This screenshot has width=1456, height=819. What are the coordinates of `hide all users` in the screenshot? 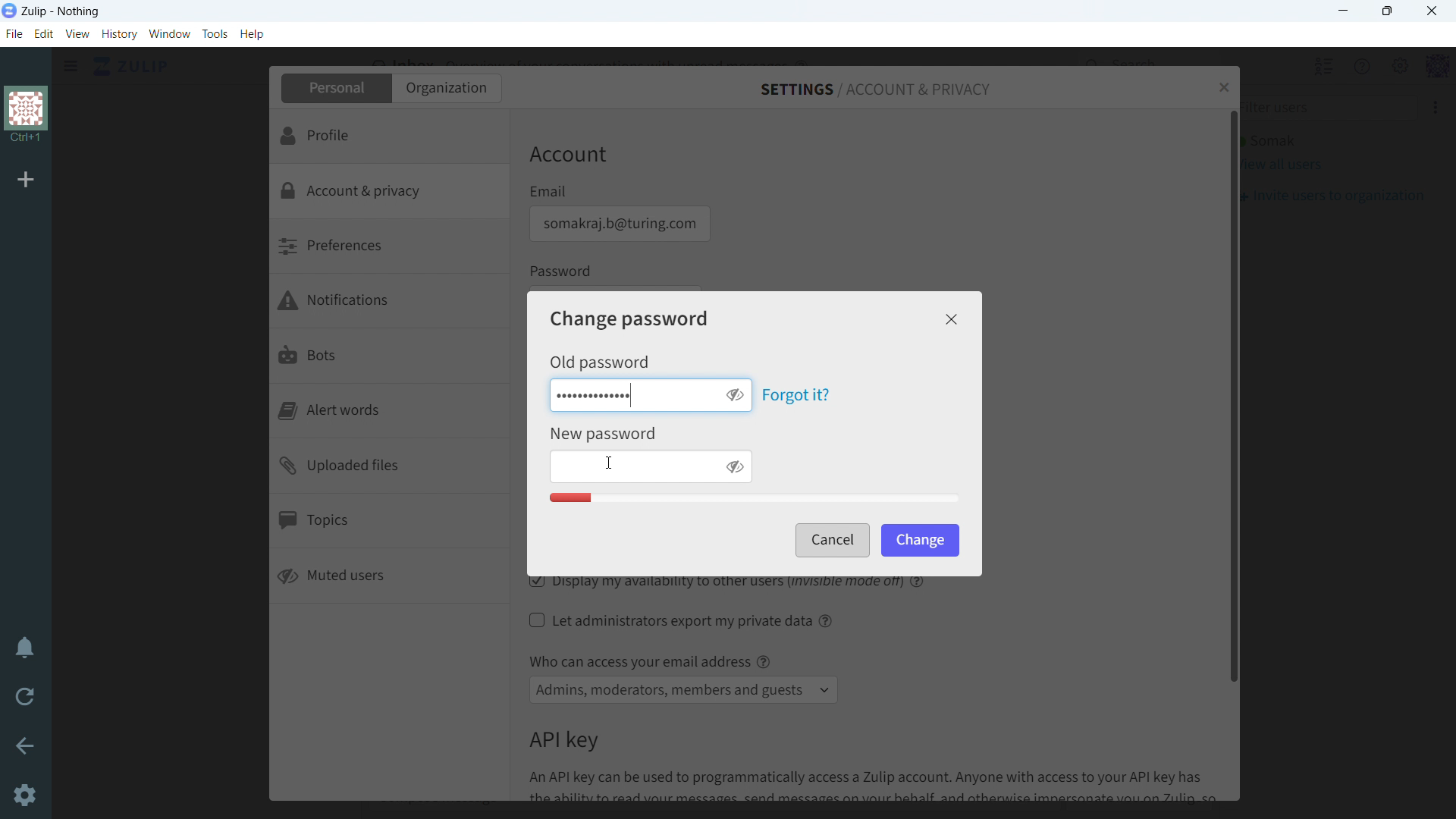 It's located at (1322, 65).